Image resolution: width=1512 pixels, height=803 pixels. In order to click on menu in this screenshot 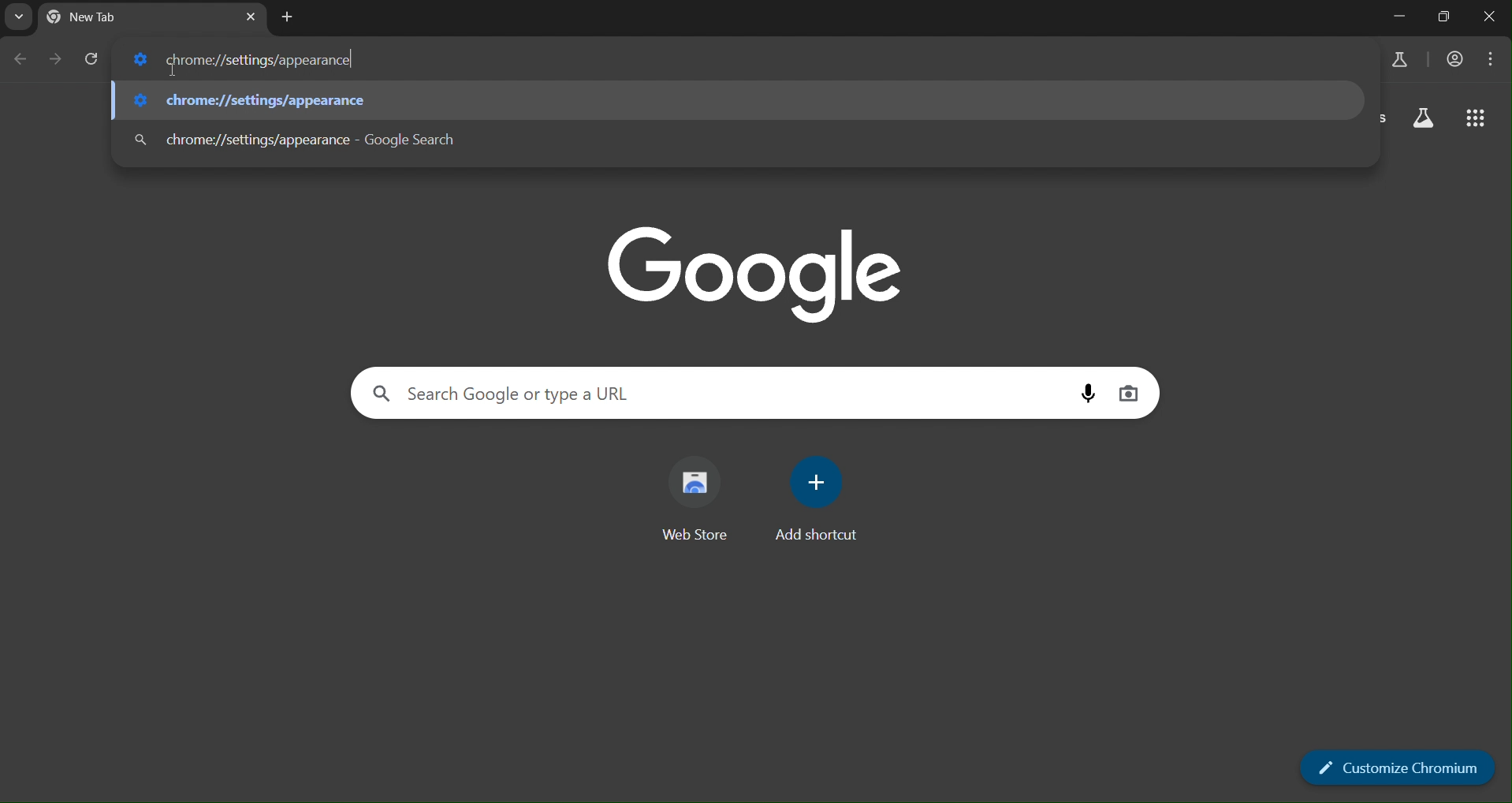, I will do `click(1493, 58)`.